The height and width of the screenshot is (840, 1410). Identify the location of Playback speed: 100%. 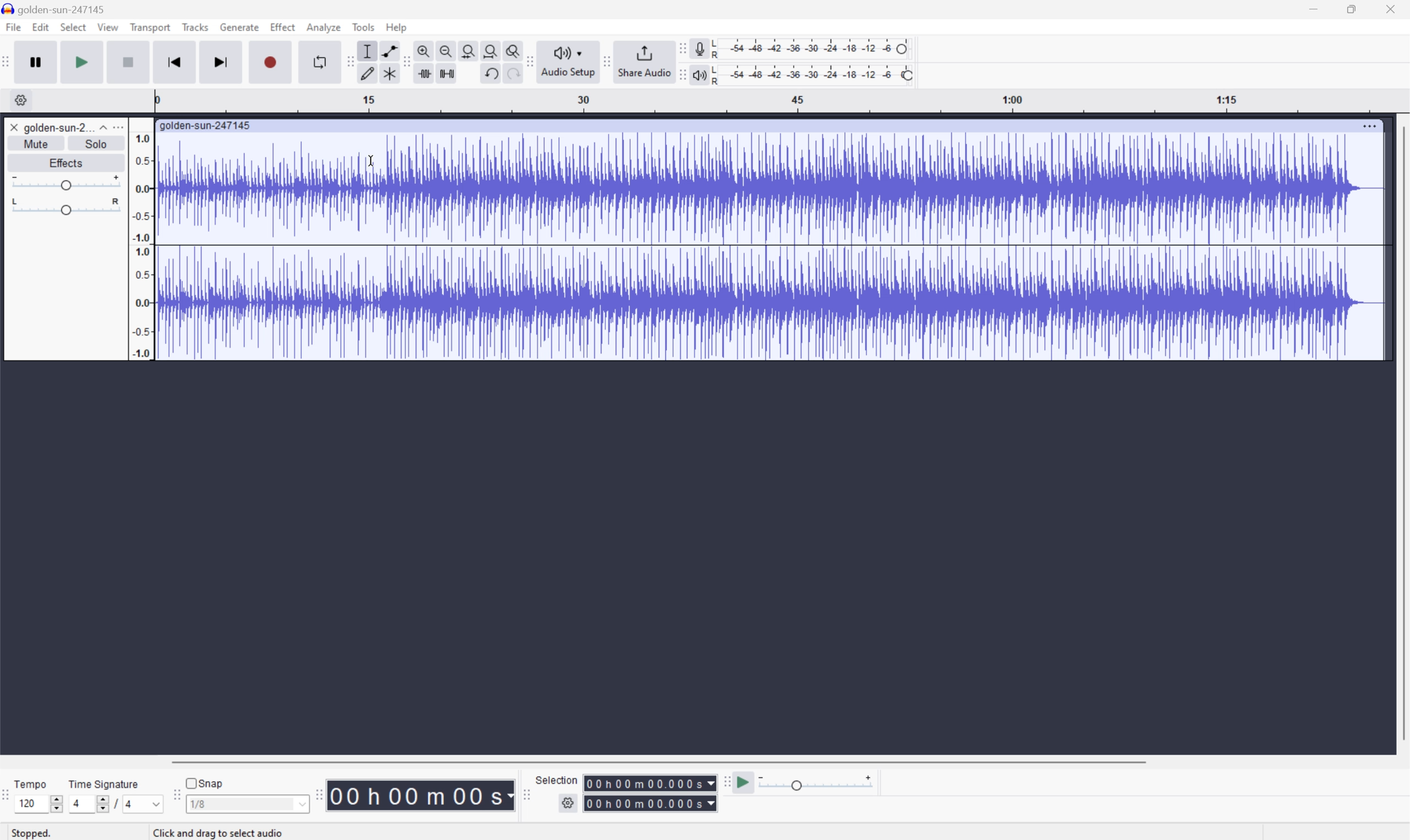
(814, 73).